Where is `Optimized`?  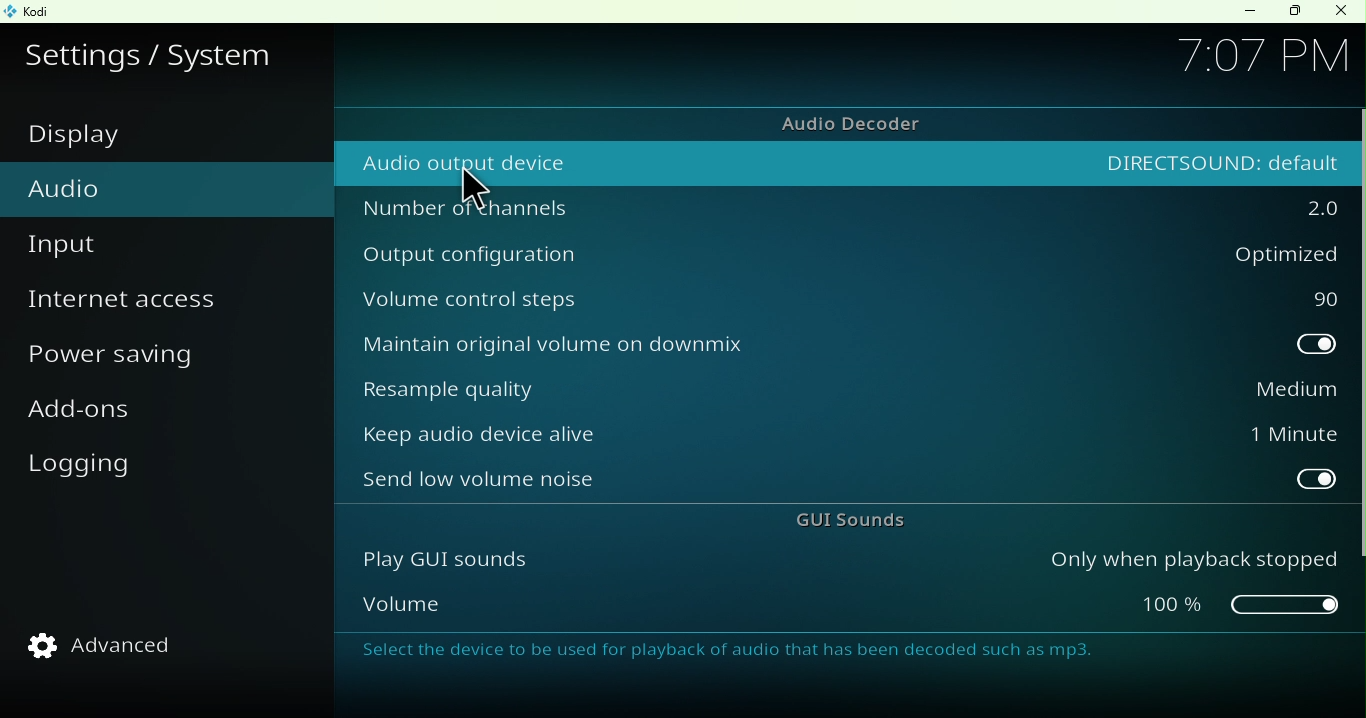
Optimized is located at coordinates (1220, 254).